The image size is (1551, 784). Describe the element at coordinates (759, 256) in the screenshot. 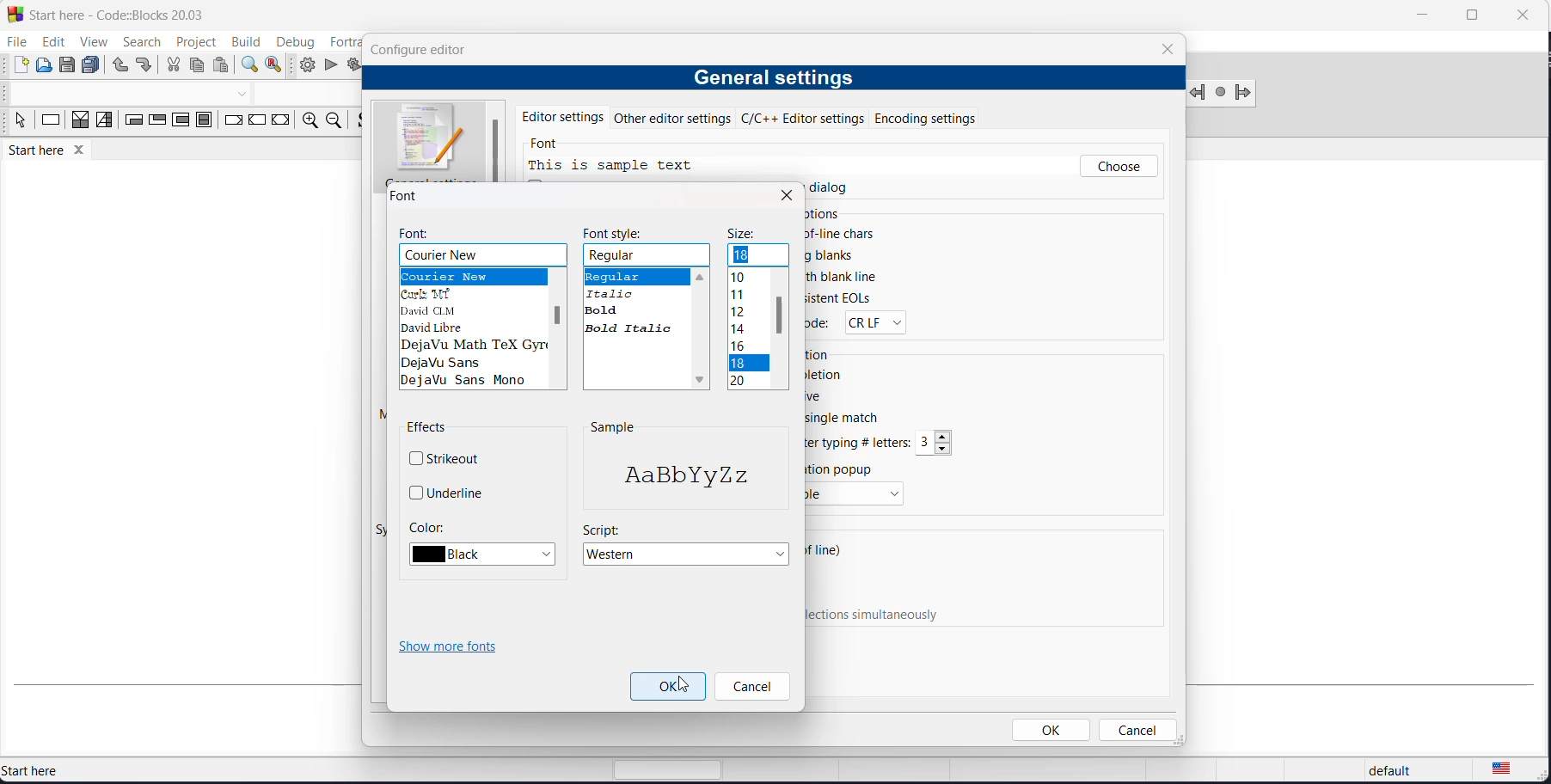

I see `current size` at that location.